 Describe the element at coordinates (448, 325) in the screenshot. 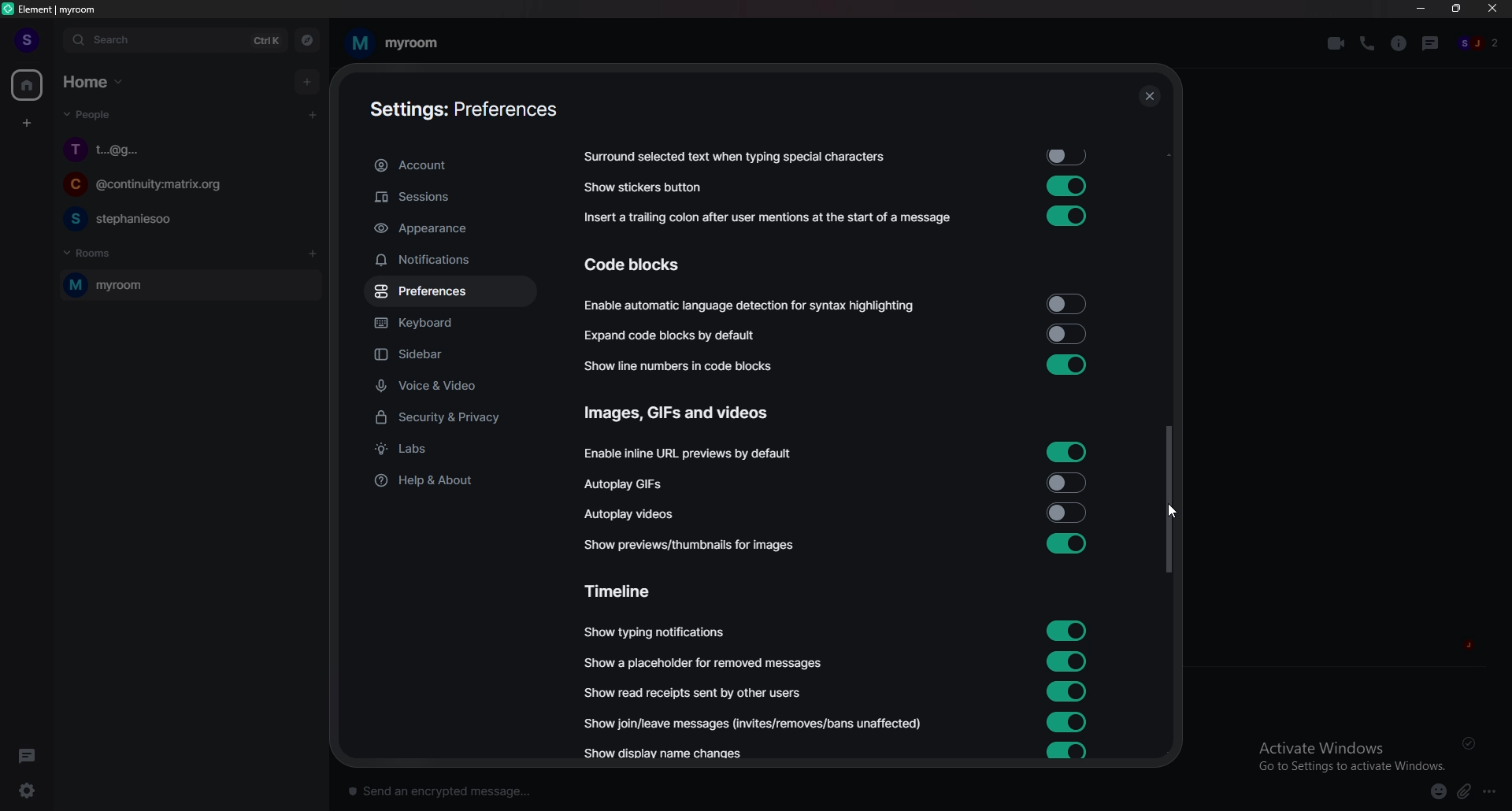

I see `keyboard` at that location.